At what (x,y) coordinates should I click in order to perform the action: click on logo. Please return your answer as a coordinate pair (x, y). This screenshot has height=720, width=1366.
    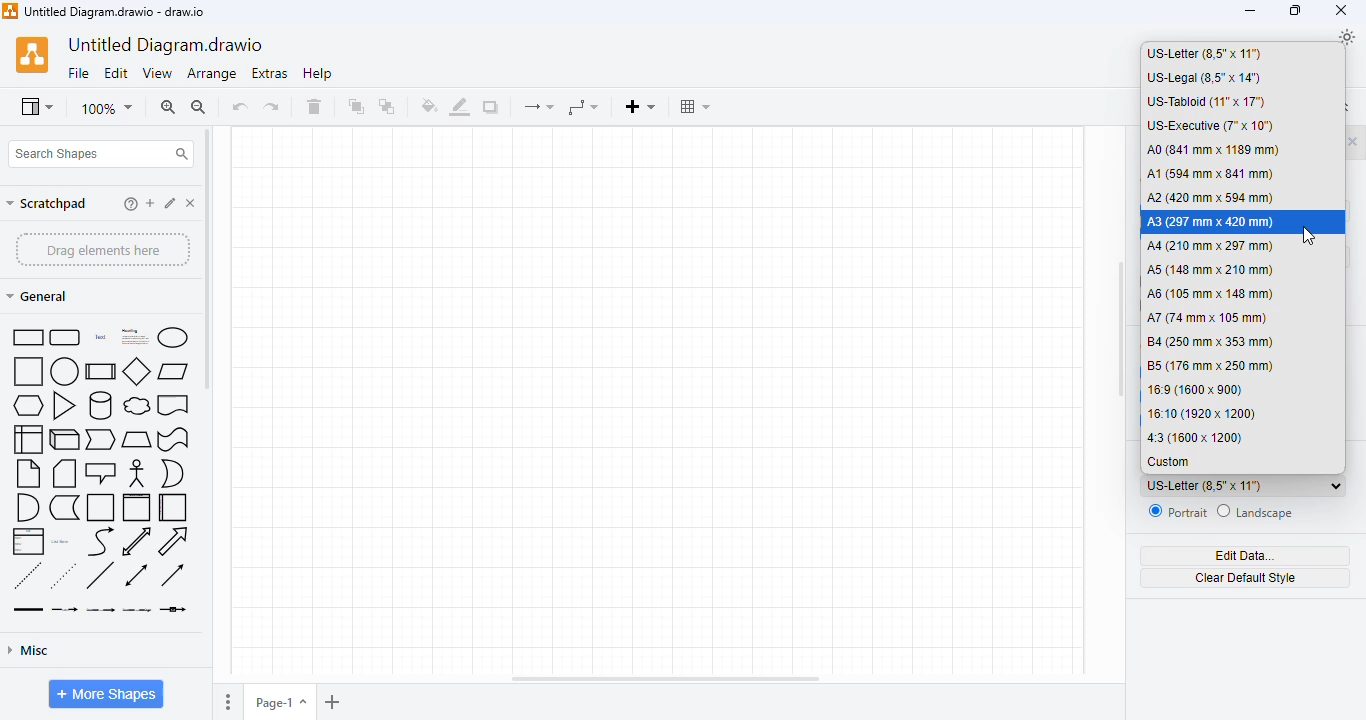
    Looking at the image, I should click on (32, 55).